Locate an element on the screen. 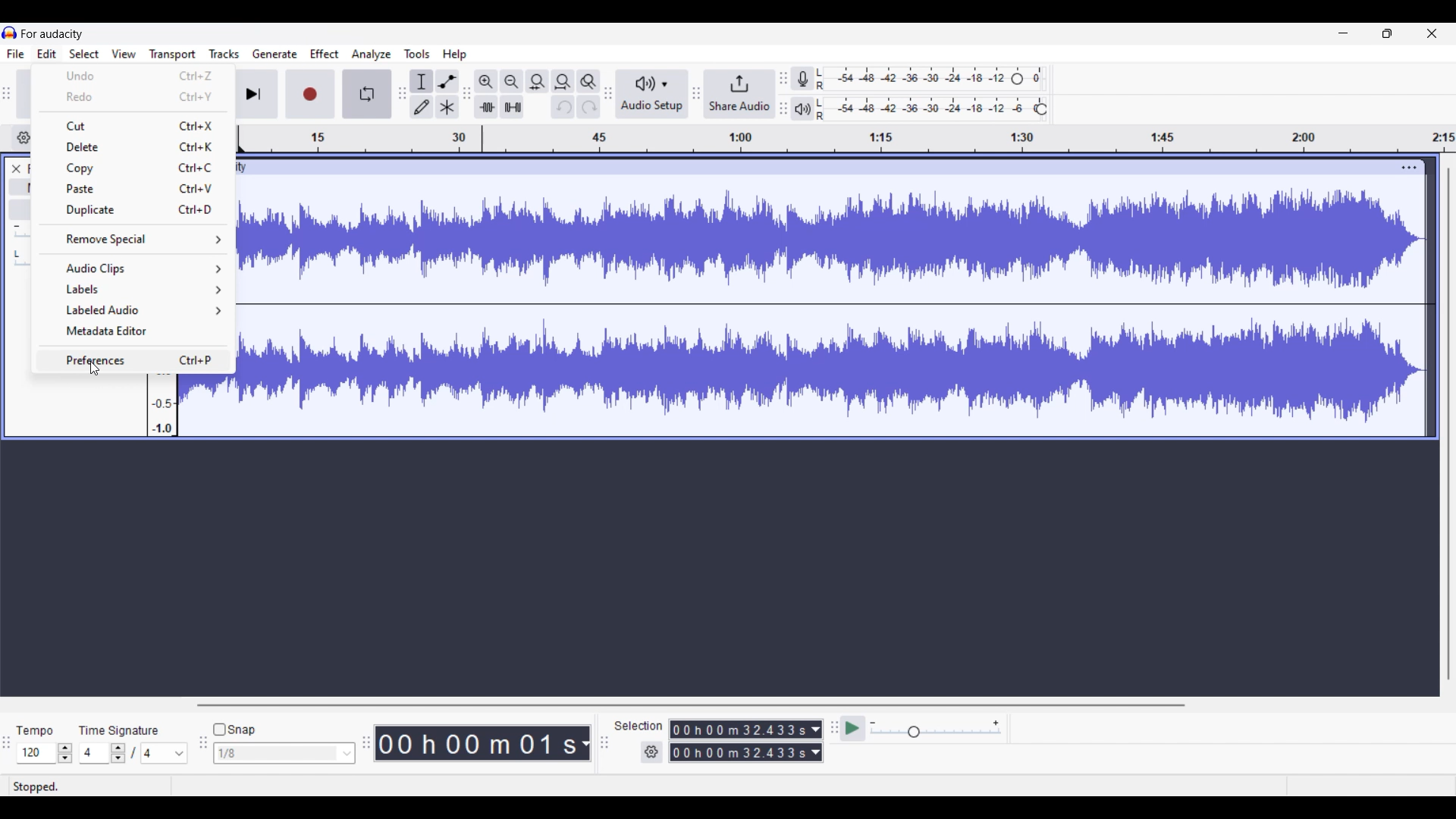  Record/Record new track is located at coordinates (310, 94).